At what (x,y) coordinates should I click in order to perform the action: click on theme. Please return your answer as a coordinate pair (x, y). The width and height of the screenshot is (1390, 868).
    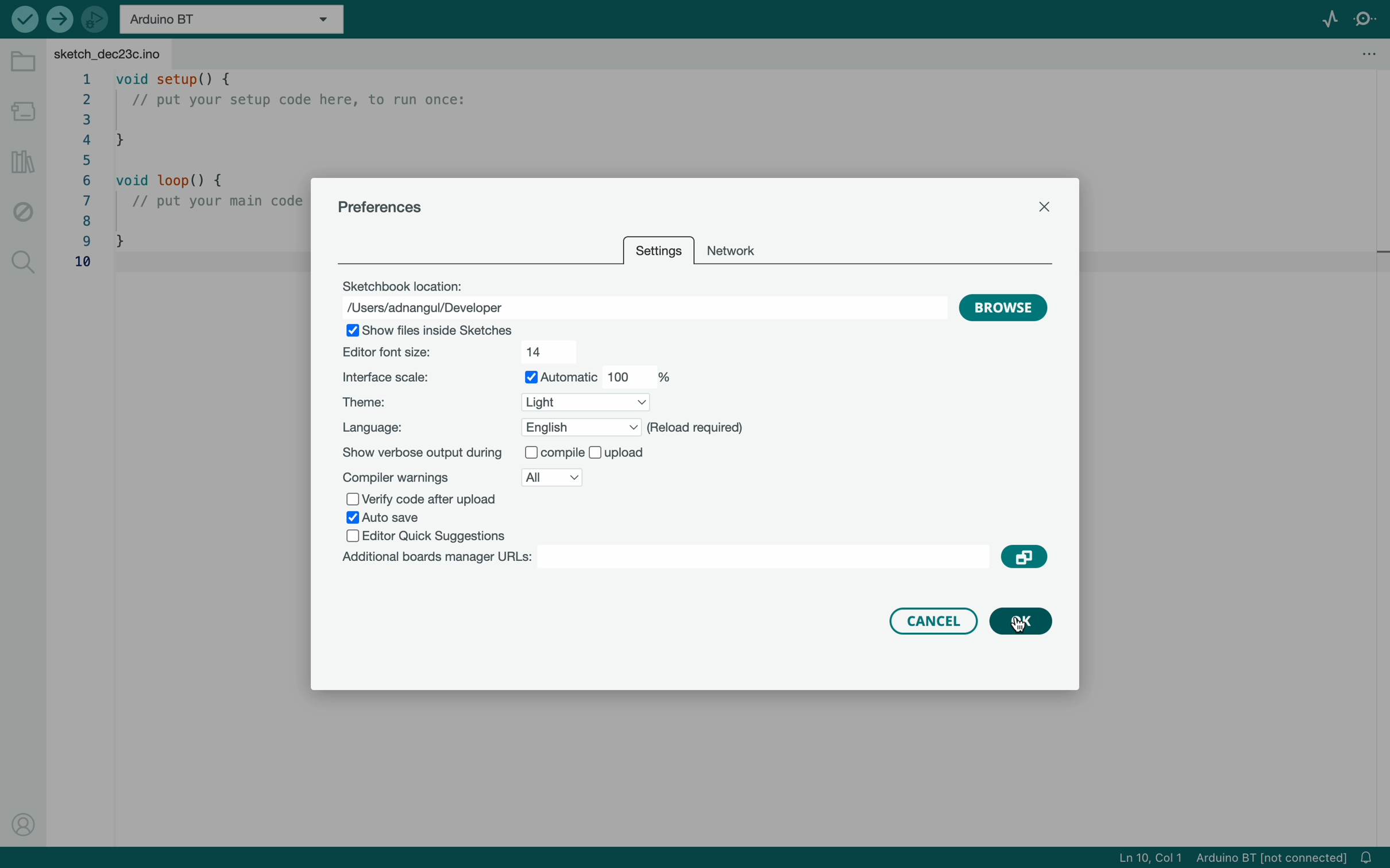
    Looking at the image, I should click on (501, 402).